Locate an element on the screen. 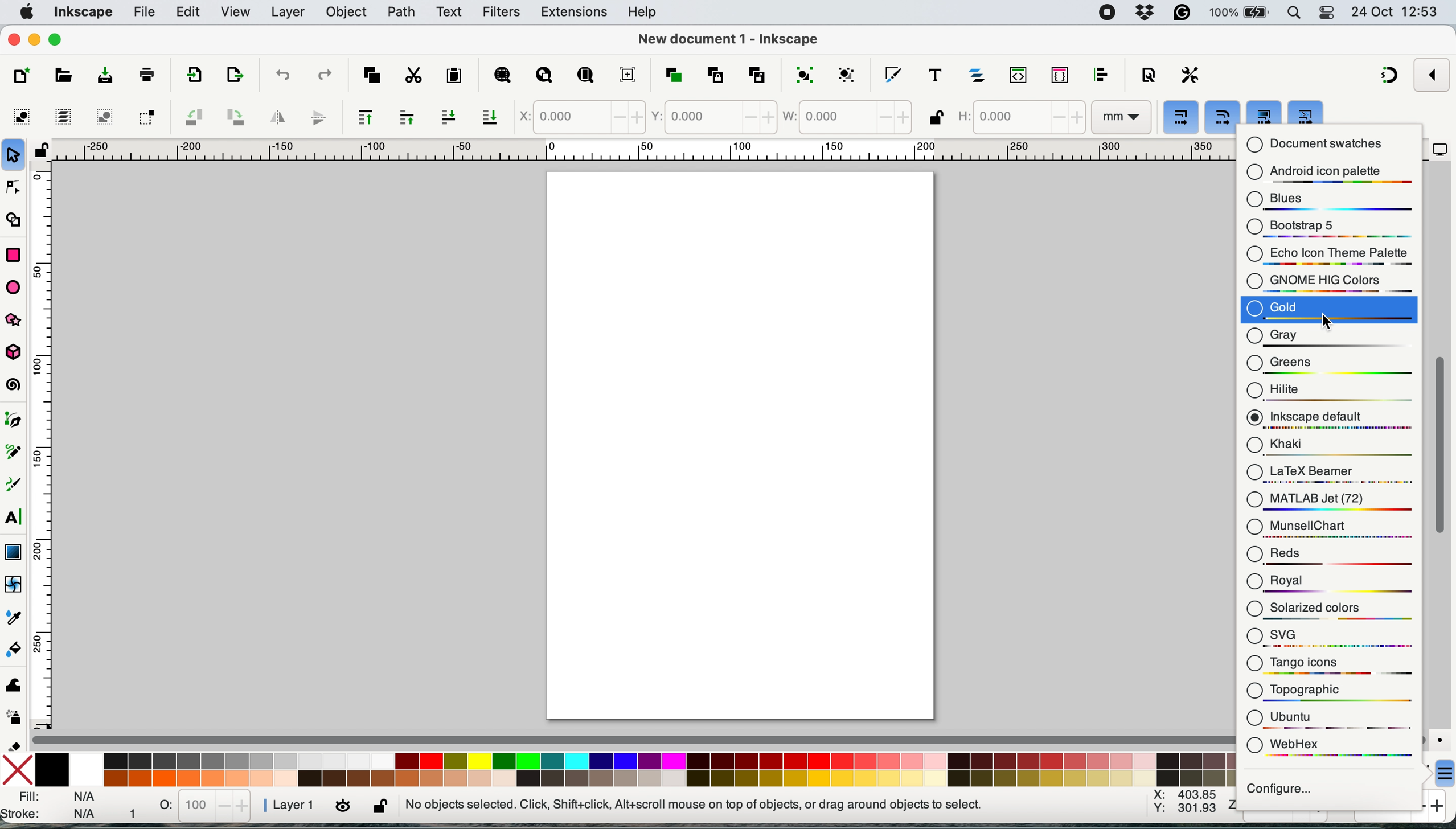 Image resolution: width=1456 pixels, height=829 pixels. control center is located at coordinates (1327, 13).